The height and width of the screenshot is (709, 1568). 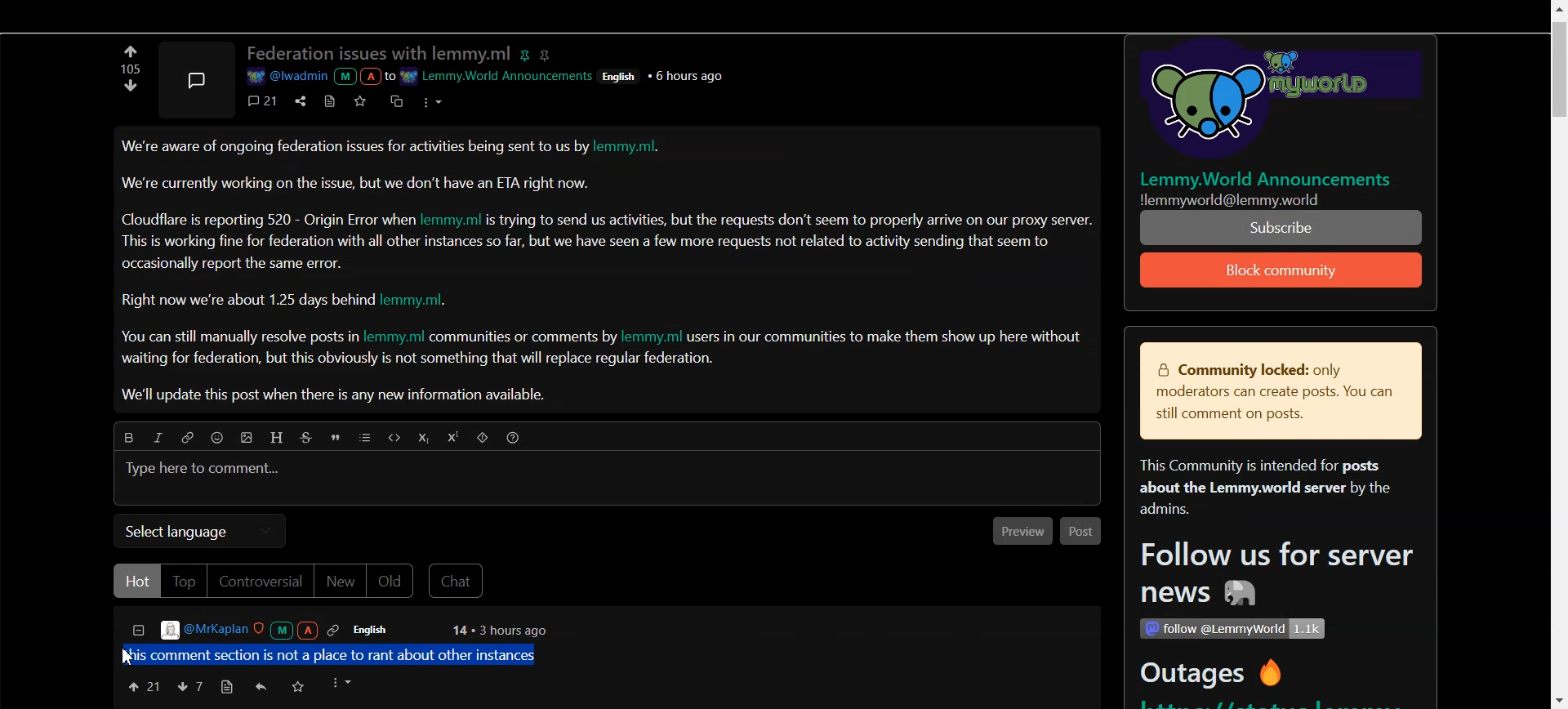 I want to click on Reply, so click(x=262, y=687).